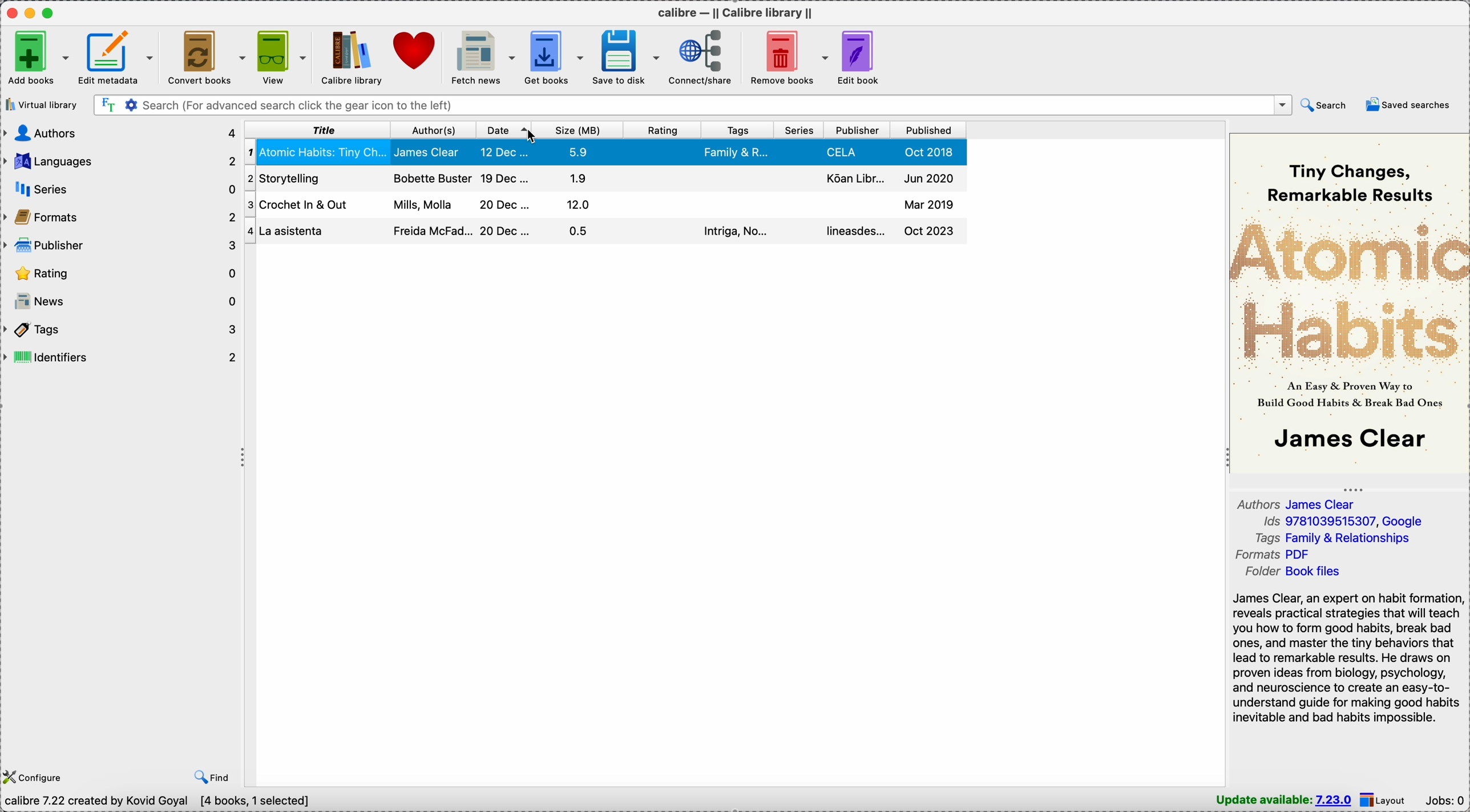 This screenshot has height=812, width=1470. What do you see at coordinates (415, 52) in the screenshot?
I see `donate` at bounding box center [415, 52].